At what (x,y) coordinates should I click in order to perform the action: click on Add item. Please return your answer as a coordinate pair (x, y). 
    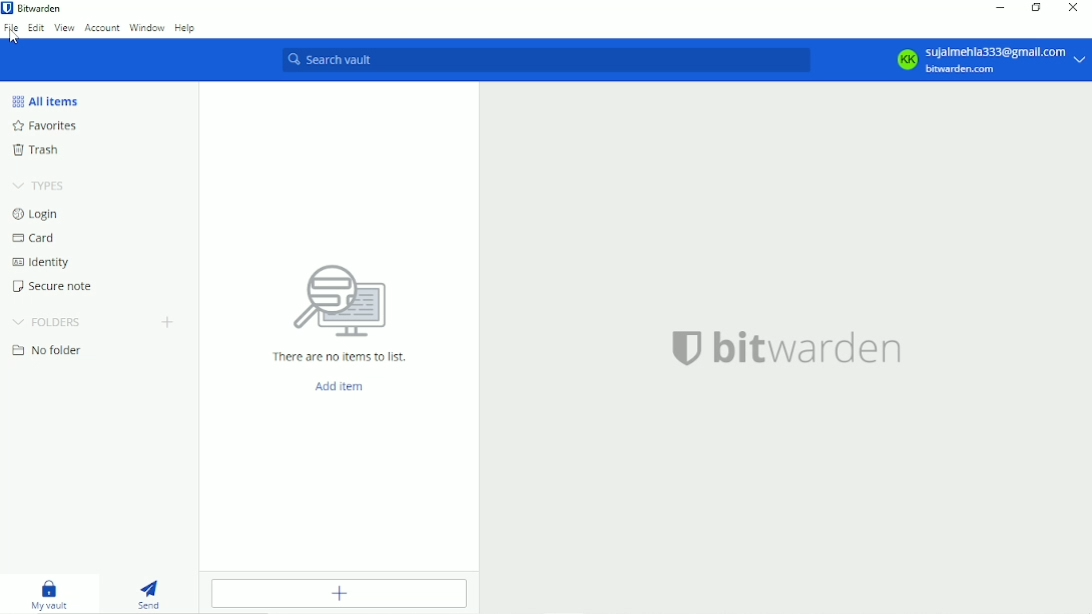
    Looking at the image, I should click on (337, 592).